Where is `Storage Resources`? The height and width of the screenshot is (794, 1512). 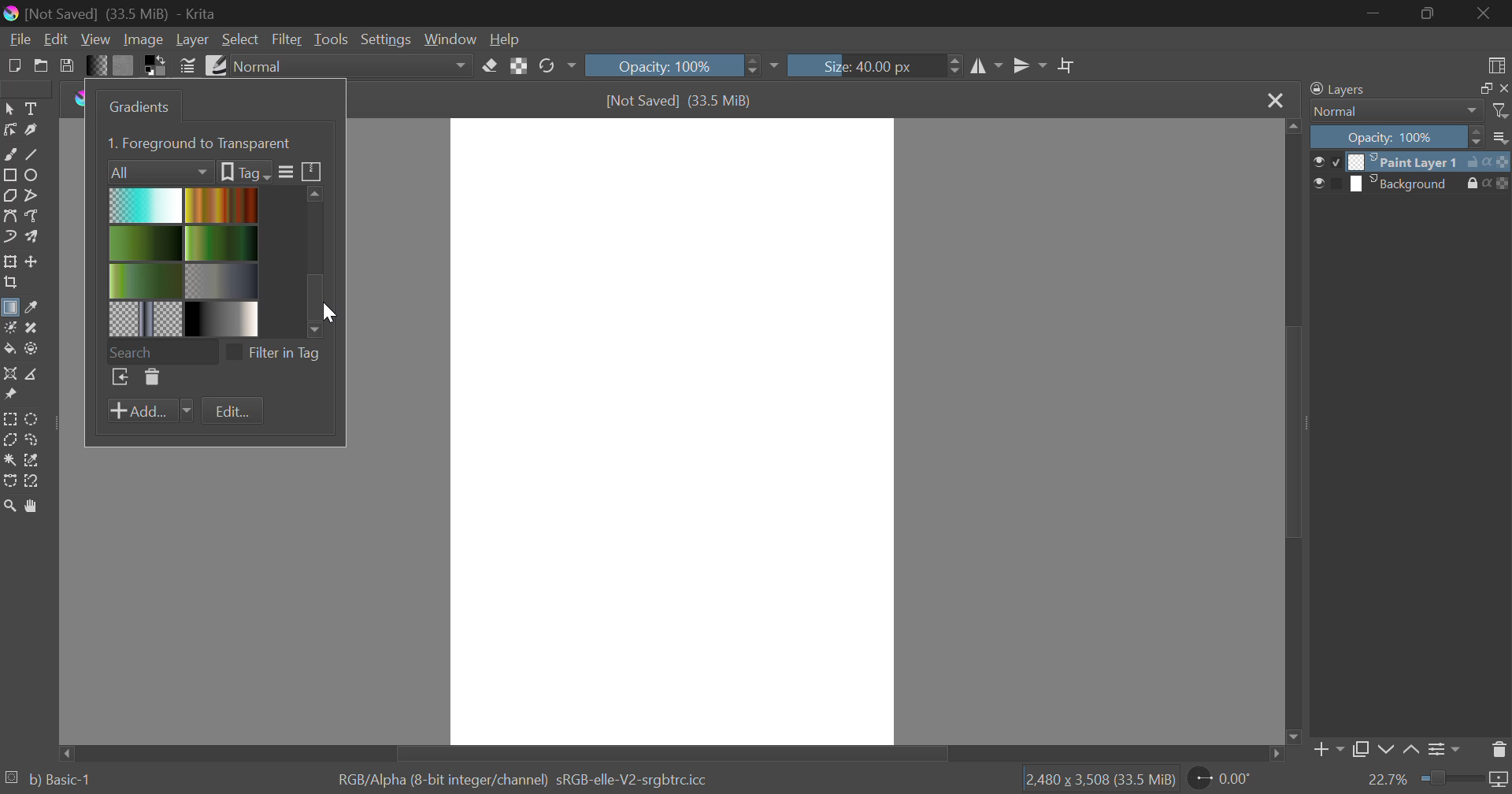 Storage Resources is located at coordinates (313, 170).